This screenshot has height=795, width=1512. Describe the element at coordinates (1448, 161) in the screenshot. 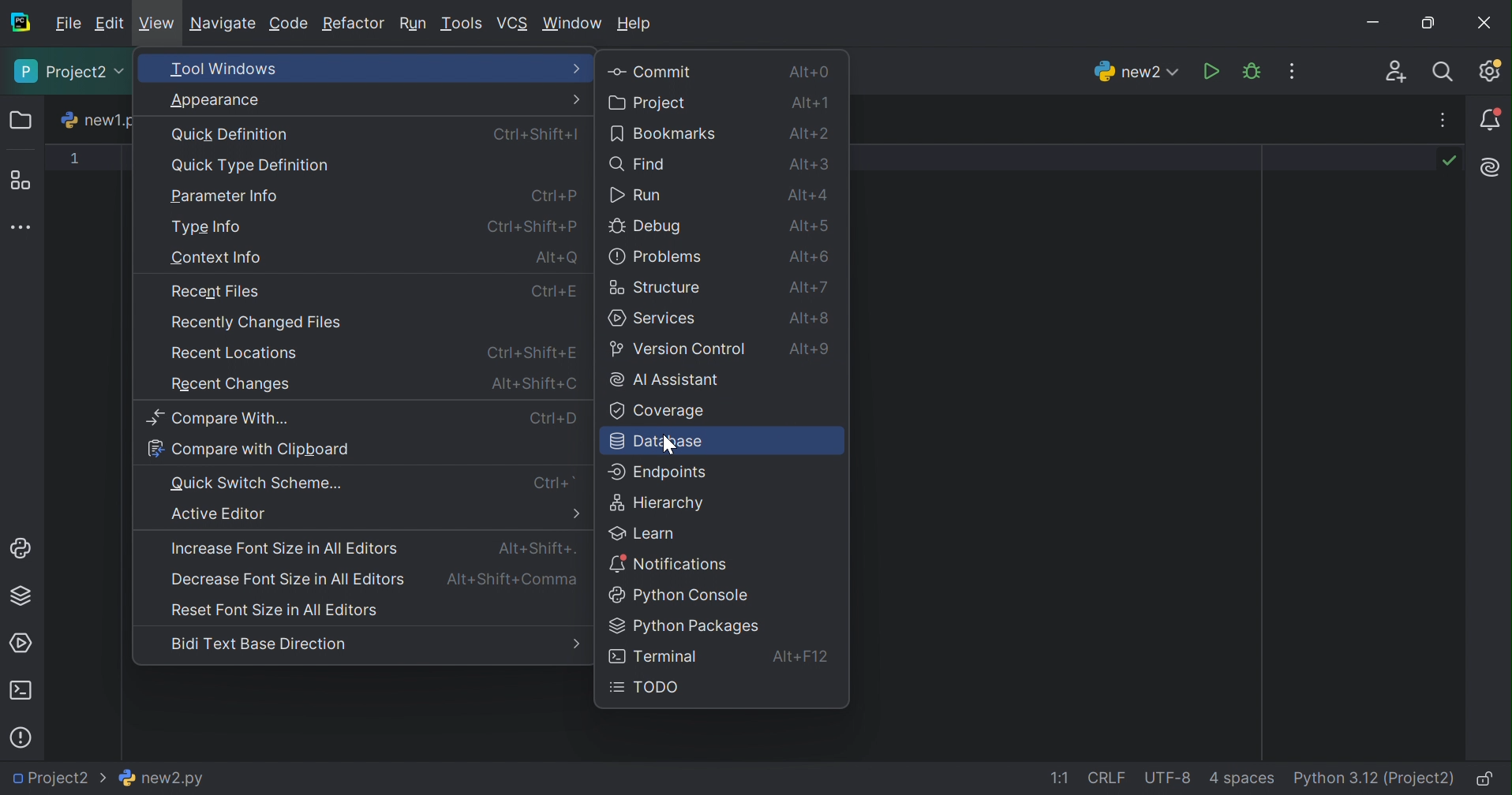

I see `No problems found` at that location.